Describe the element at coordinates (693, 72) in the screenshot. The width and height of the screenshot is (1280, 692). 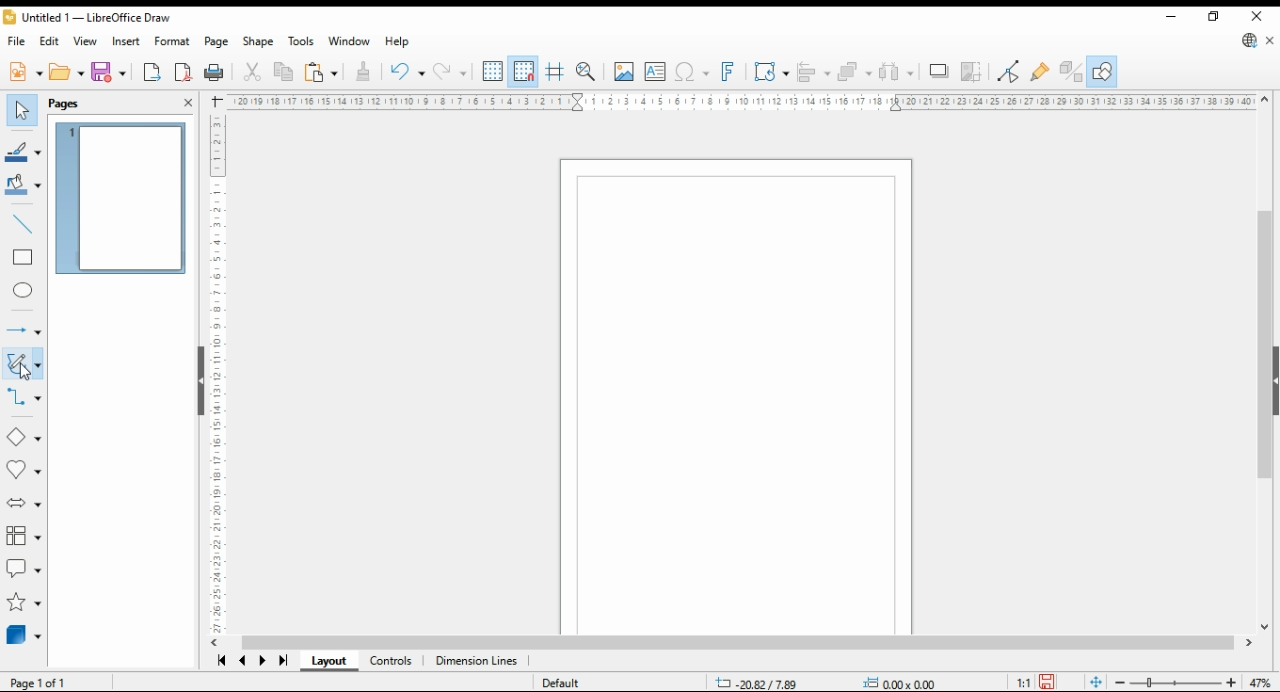
I see `insert special character` at that location.